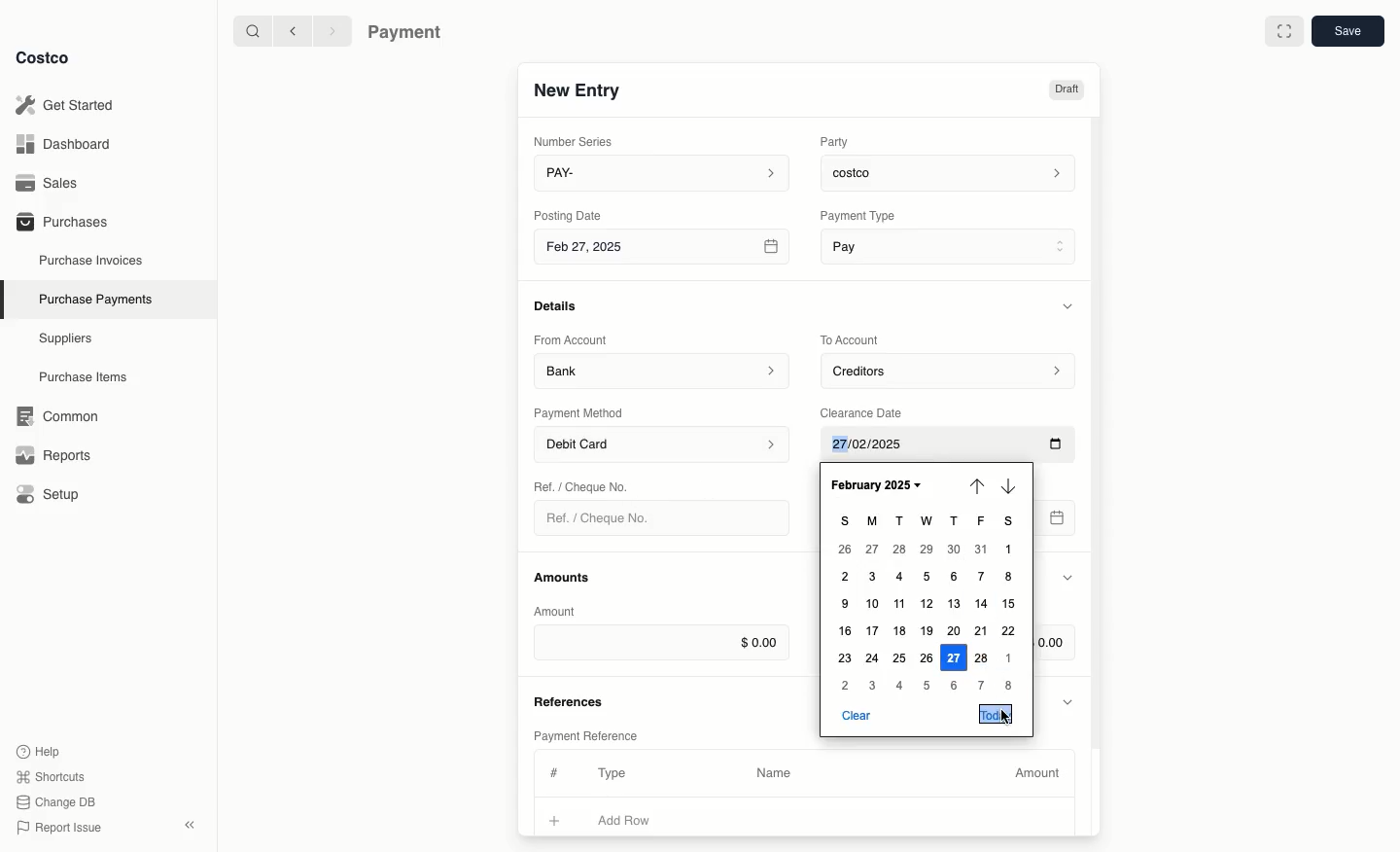  Describe the element at coordinates (584, 733) in the screenshot. I see `Payment Reference` at that location.